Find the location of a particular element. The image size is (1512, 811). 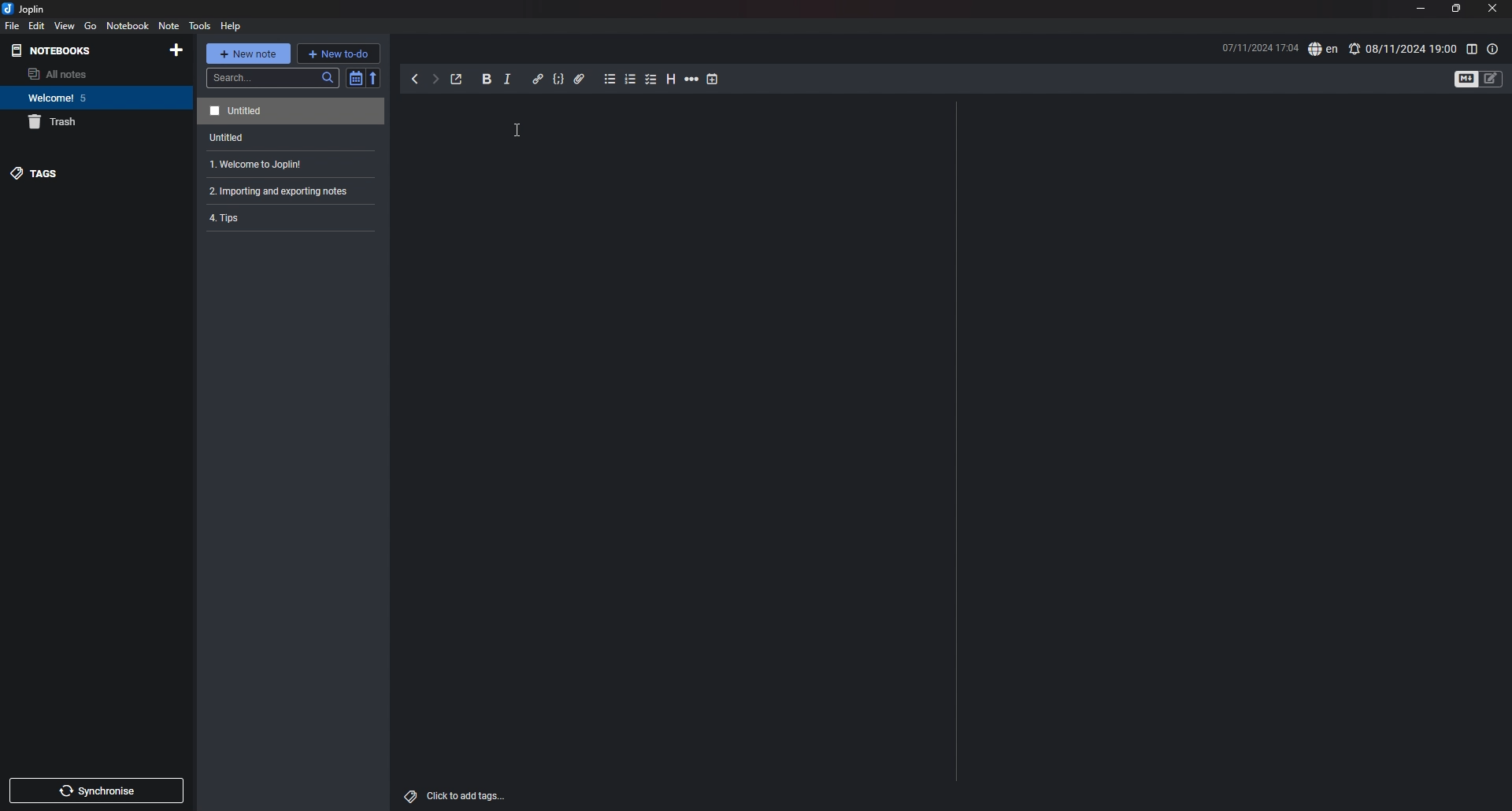

notebook is located at coordinates (128, 25).